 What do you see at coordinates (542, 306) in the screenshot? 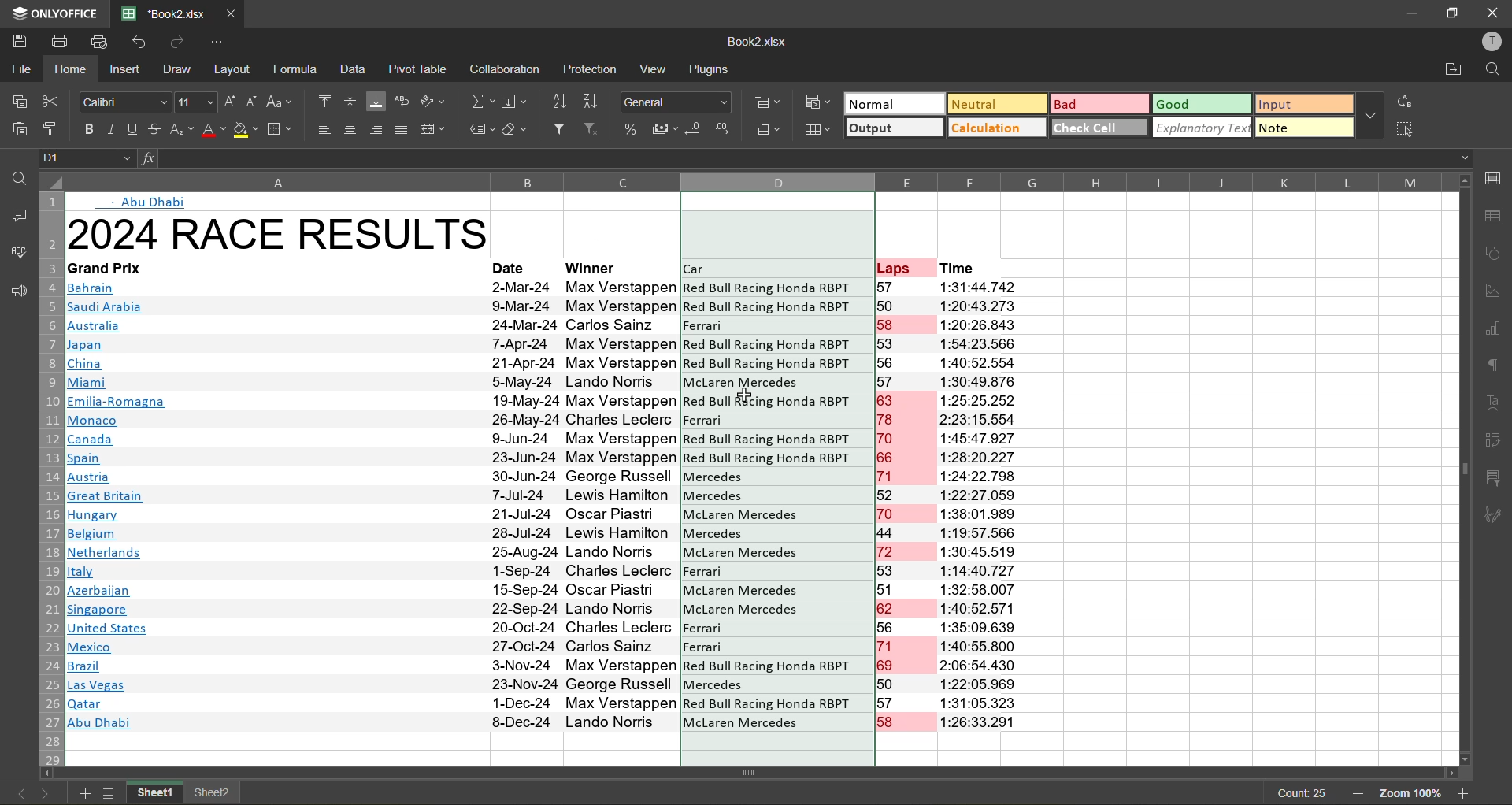
I see `|Ssaudi Arabia 9-Mar-24 Max Verstappen Red Bull Racing Honda RBPT 50 1:20:43.273` at bounding box center [542, 306].